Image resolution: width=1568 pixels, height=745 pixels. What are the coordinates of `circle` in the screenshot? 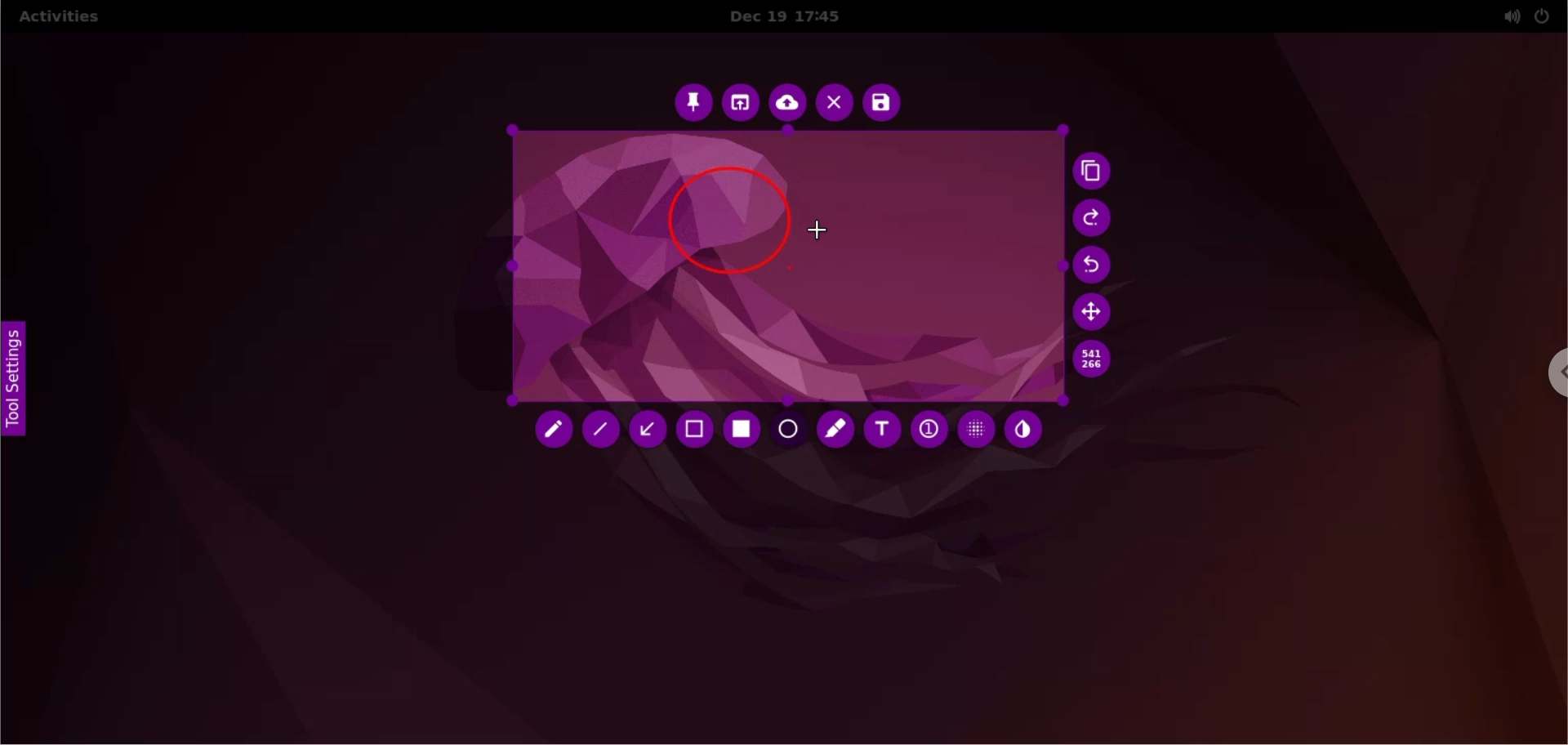 It's located at (726, 221).